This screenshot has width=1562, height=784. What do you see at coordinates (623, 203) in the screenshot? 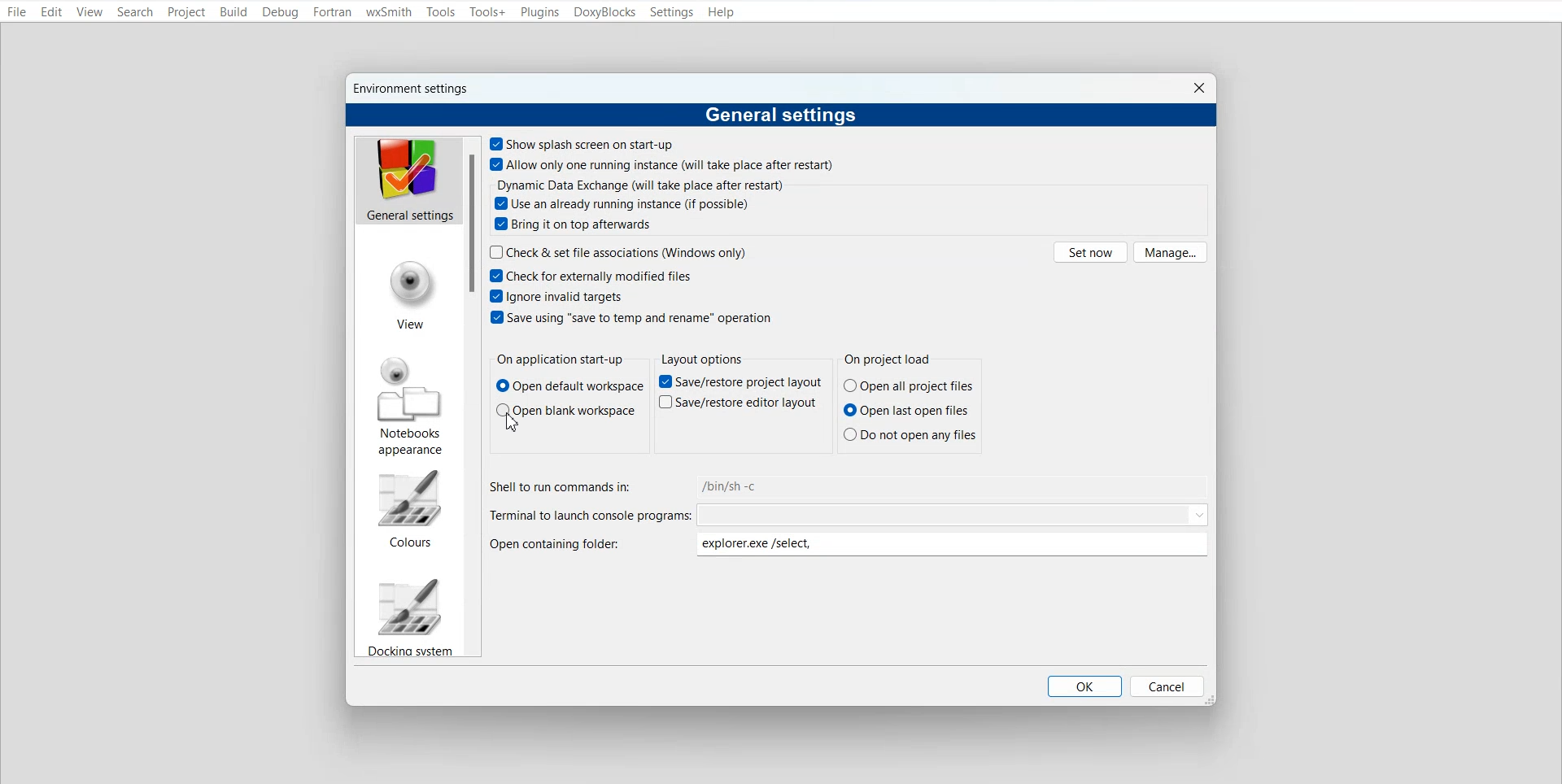
I see `Use an already running instance` at bounding box center [623, 203].